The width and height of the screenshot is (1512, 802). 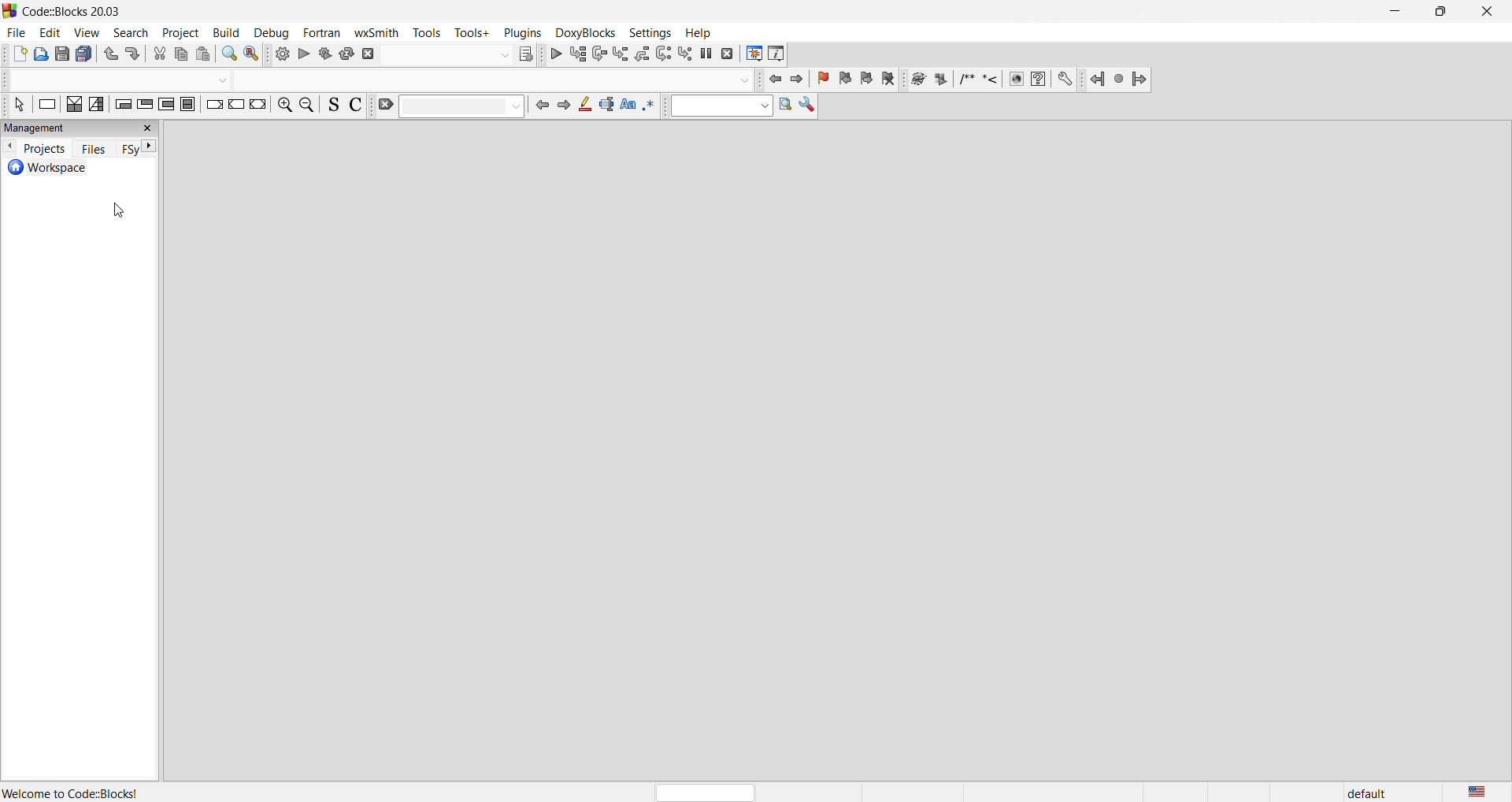 What do you see at coordinates (1442, 13) in the screenshot?
I see `maximize` at bounding box center [1442, 13].